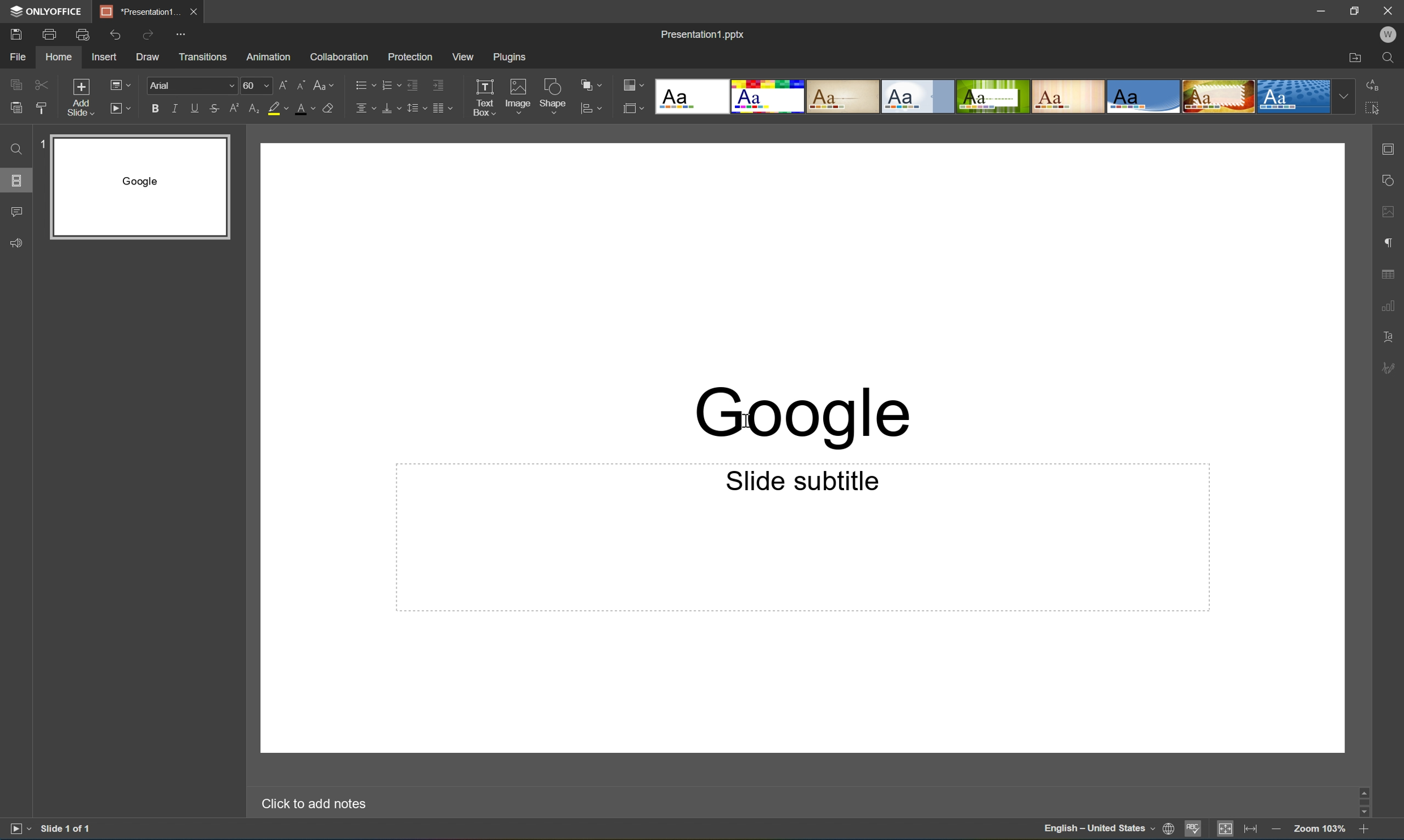 This screenshot has width=1404, height=840. What do you see at coordinates (556, 94) in the screenshot?
I see `Shape` at bounding box center [556, 94].